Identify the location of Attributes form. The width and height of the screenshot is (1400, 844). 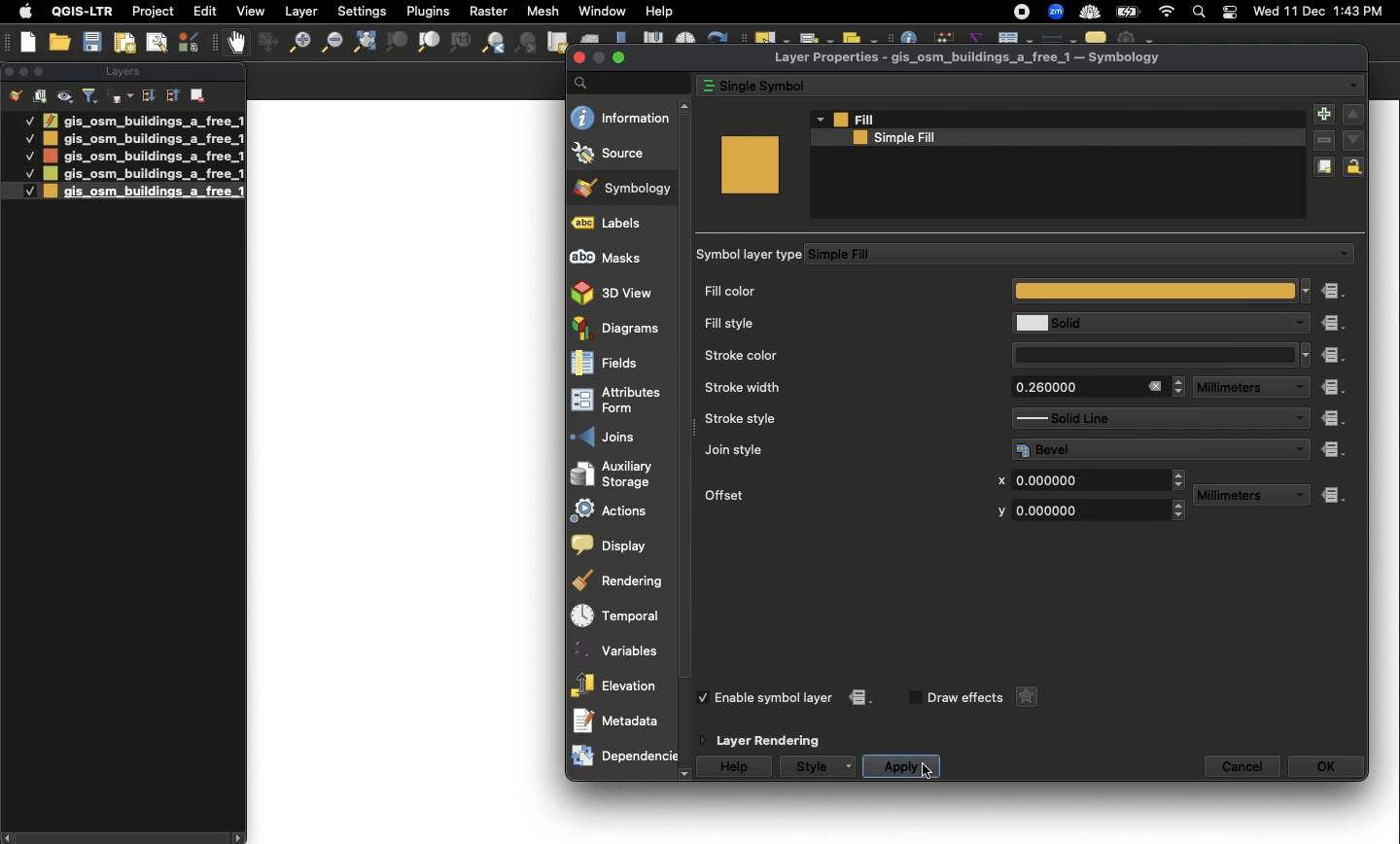
(620, 402).